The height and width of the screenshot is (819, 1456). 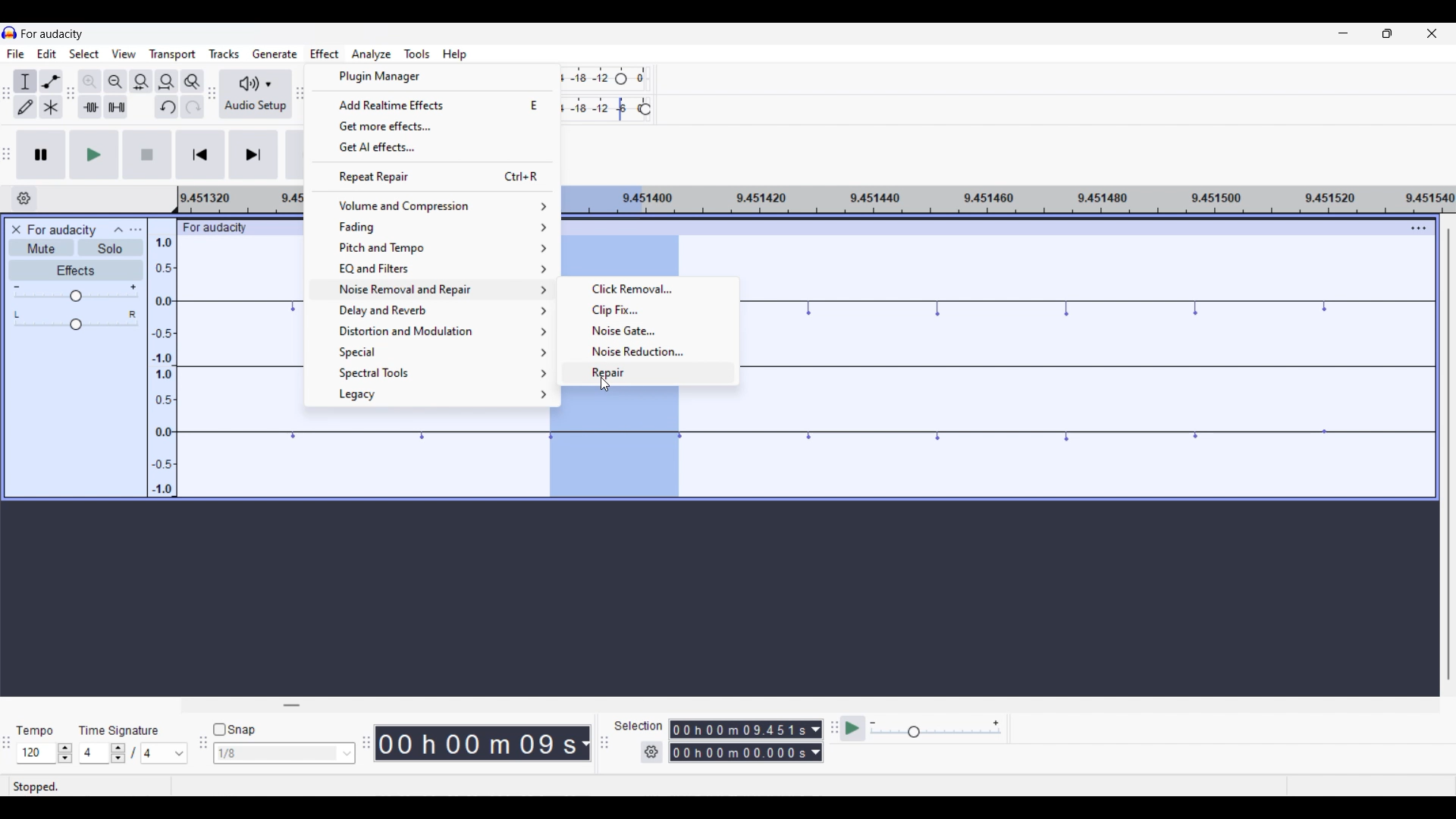 I want to click on Close interface, so click(x=1432, y=33).